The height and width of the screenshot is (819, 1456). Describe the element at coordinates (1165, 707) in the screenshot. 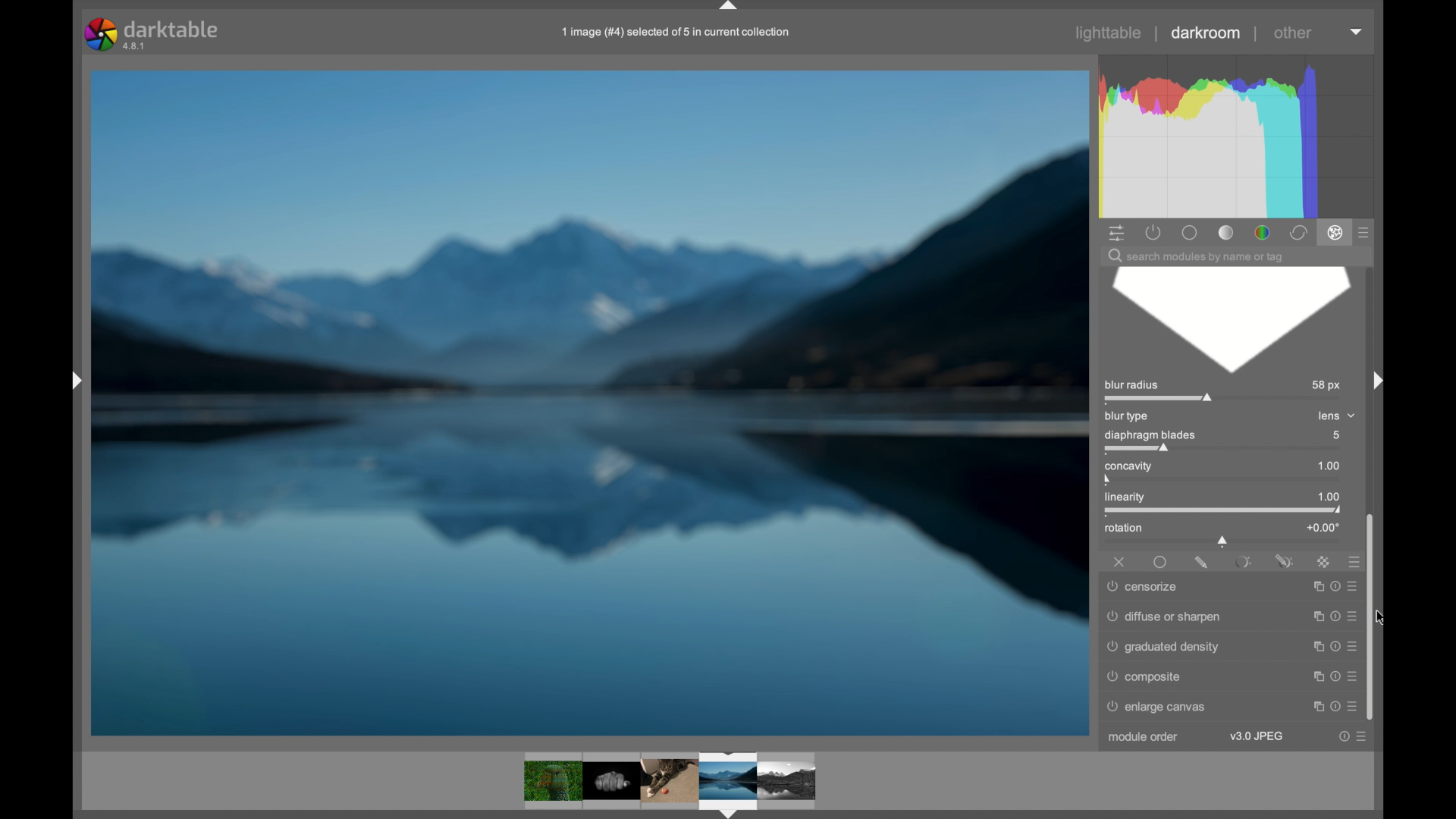

I see `enlarge canvas` at that location.